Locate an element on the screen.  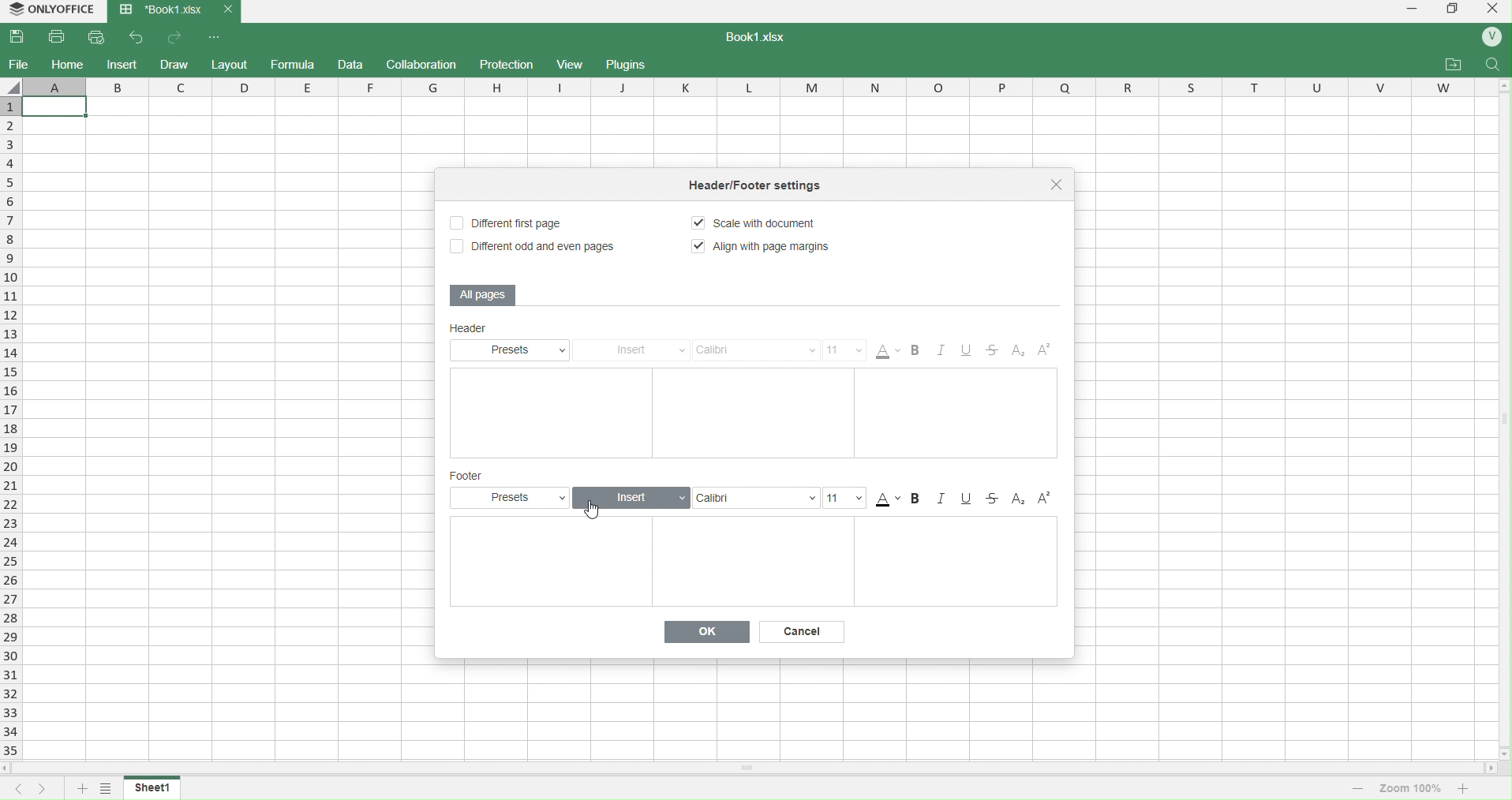
column is located at coordinates (759, 86).